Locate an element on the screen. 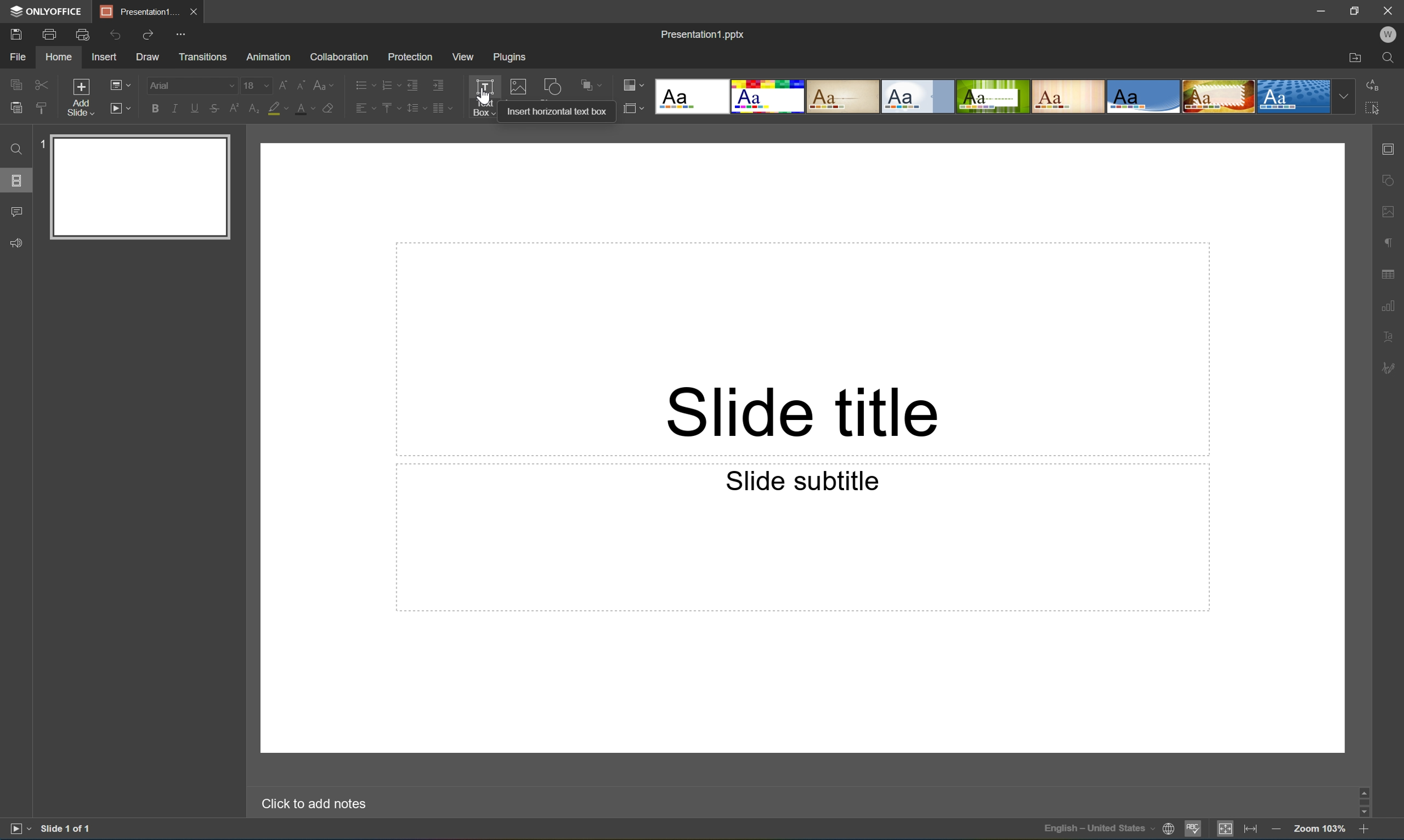  Decrease indent is located at coordinates (412, 84).